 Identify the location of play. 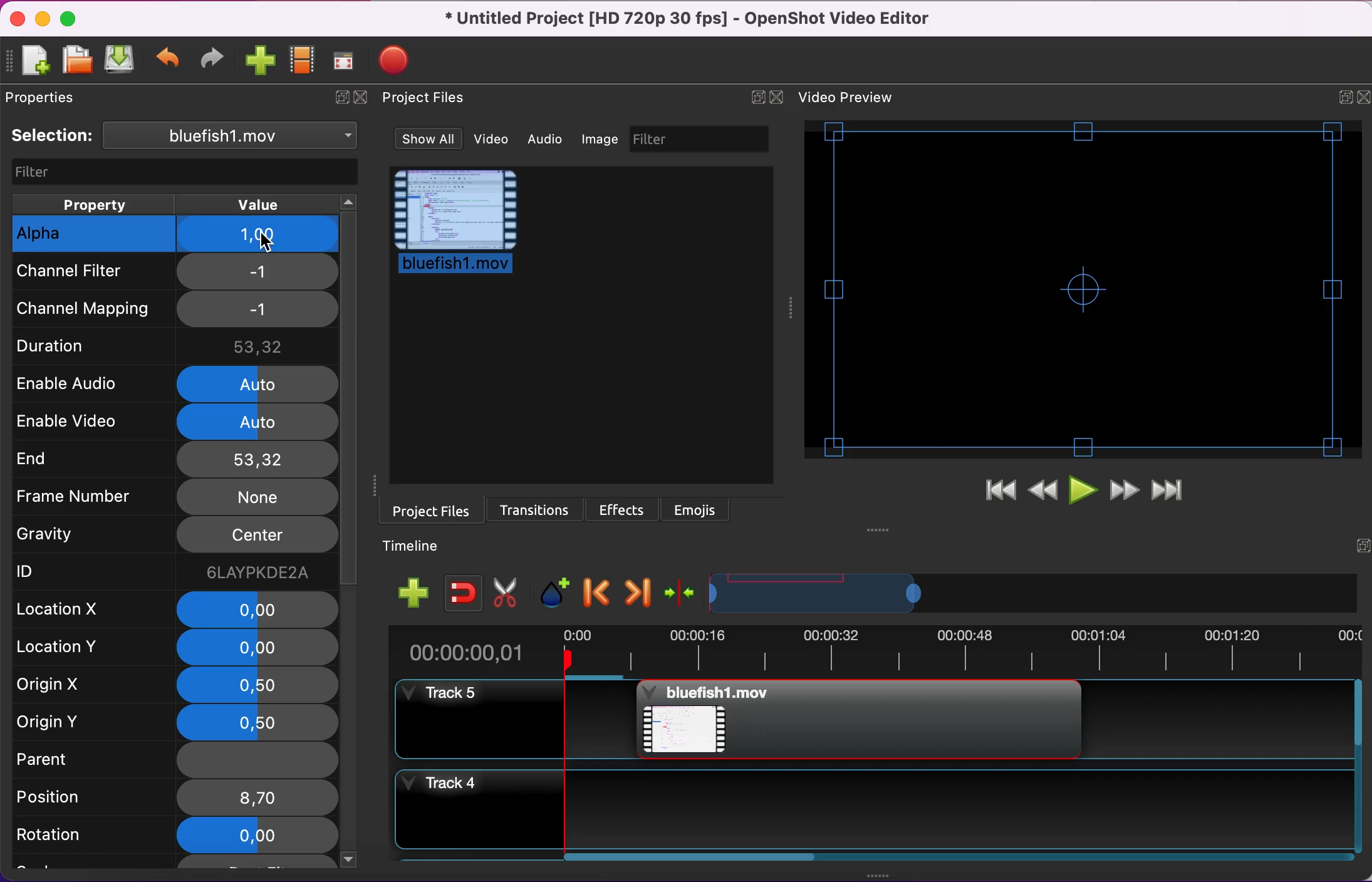
(1084, 491).